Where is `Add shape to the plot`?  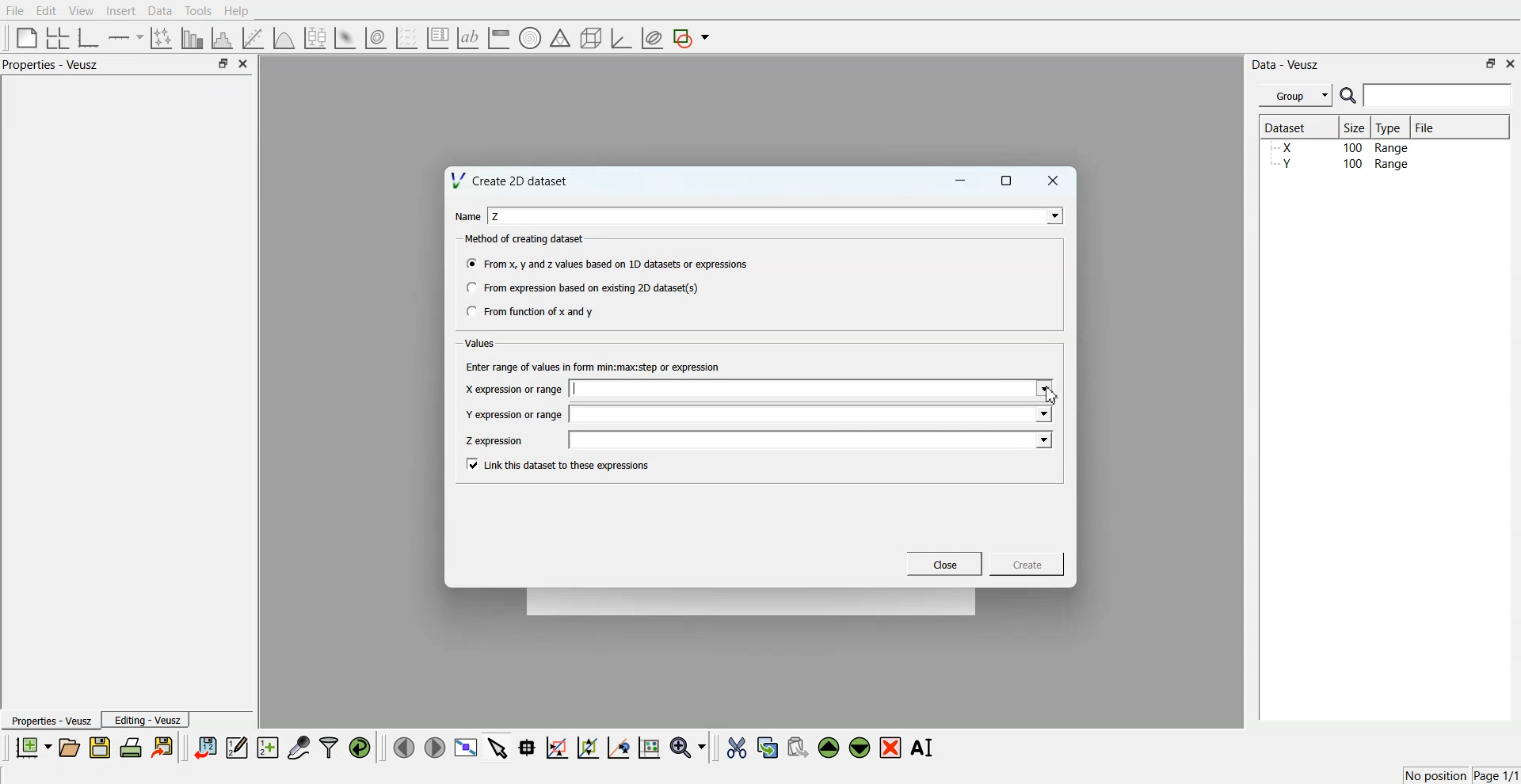 Add shape to the plot is located at coordinates (691, 38).